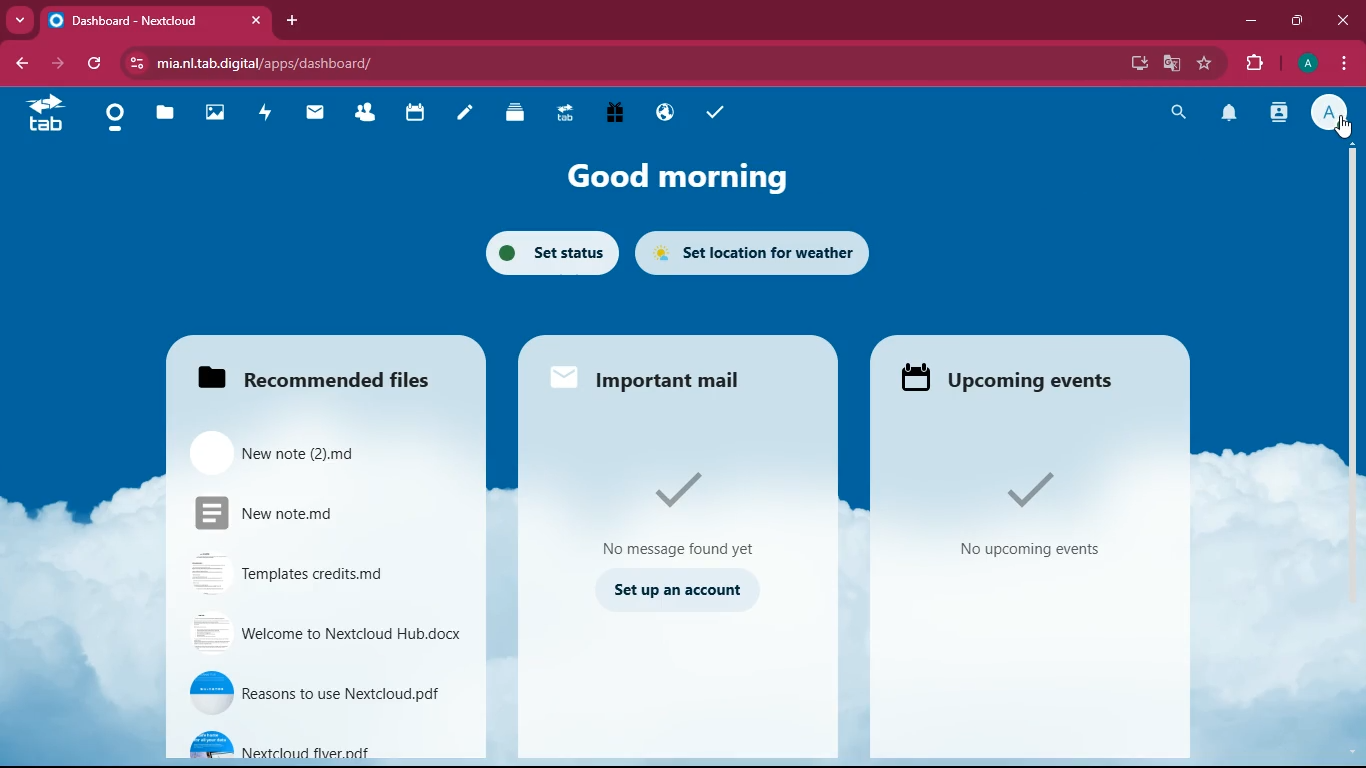 This screenshot has width=1366, height=768. Describe the element at coordinates (466, 113) in the screenshot. I see `notes` at that location.